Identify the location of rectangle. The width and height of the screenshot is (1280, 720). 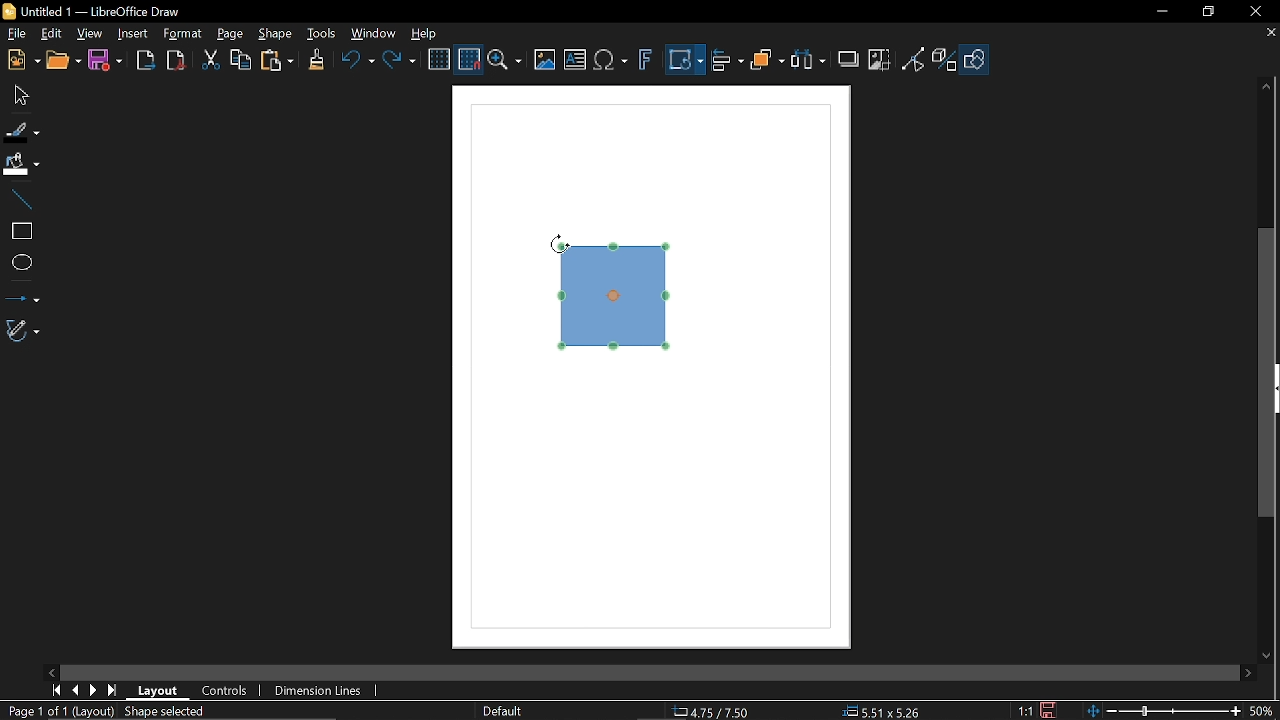
(19, 232).